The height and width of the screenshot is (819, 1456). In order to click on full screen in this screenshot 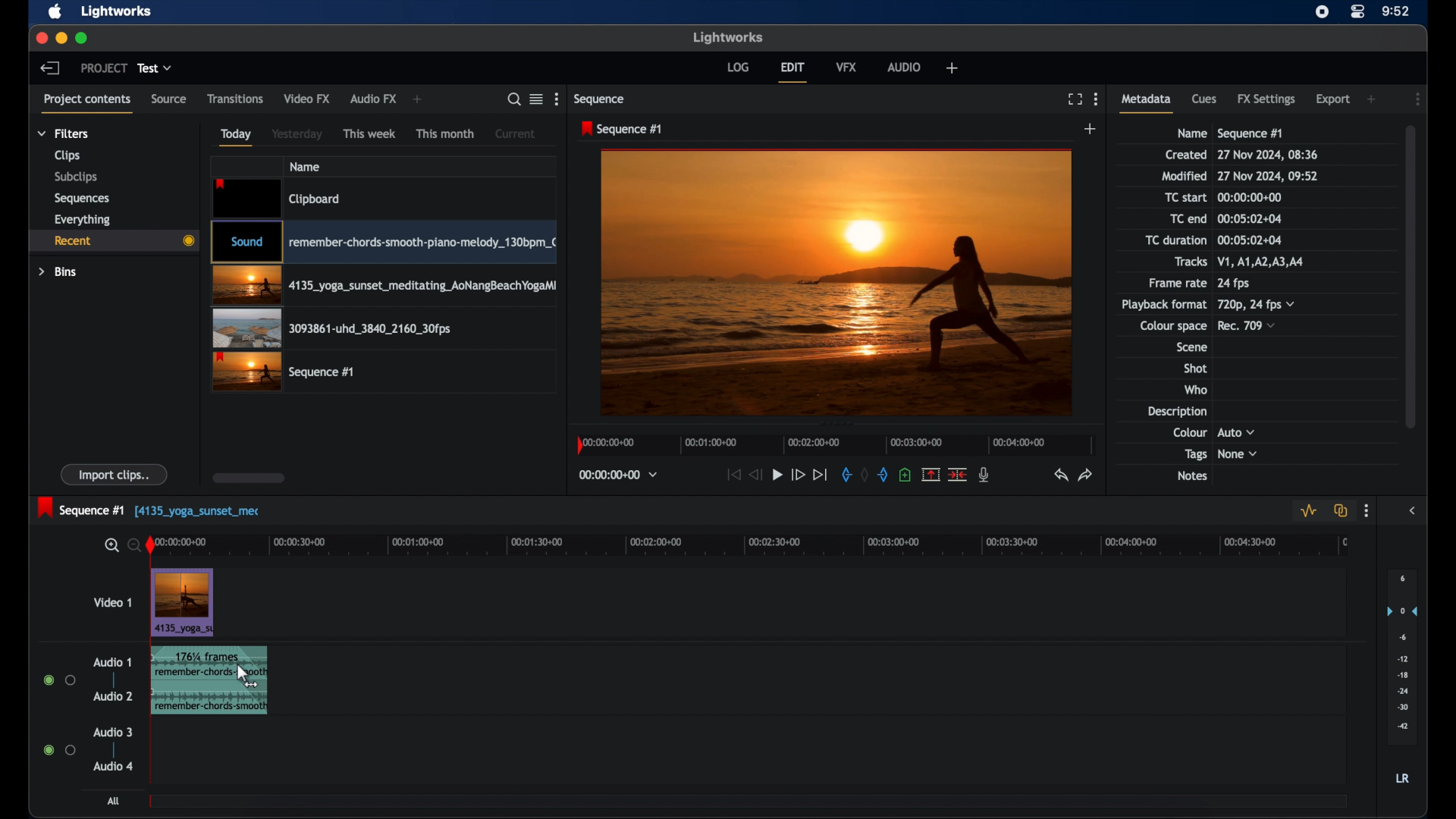, I will do `click(1073, 99)`.